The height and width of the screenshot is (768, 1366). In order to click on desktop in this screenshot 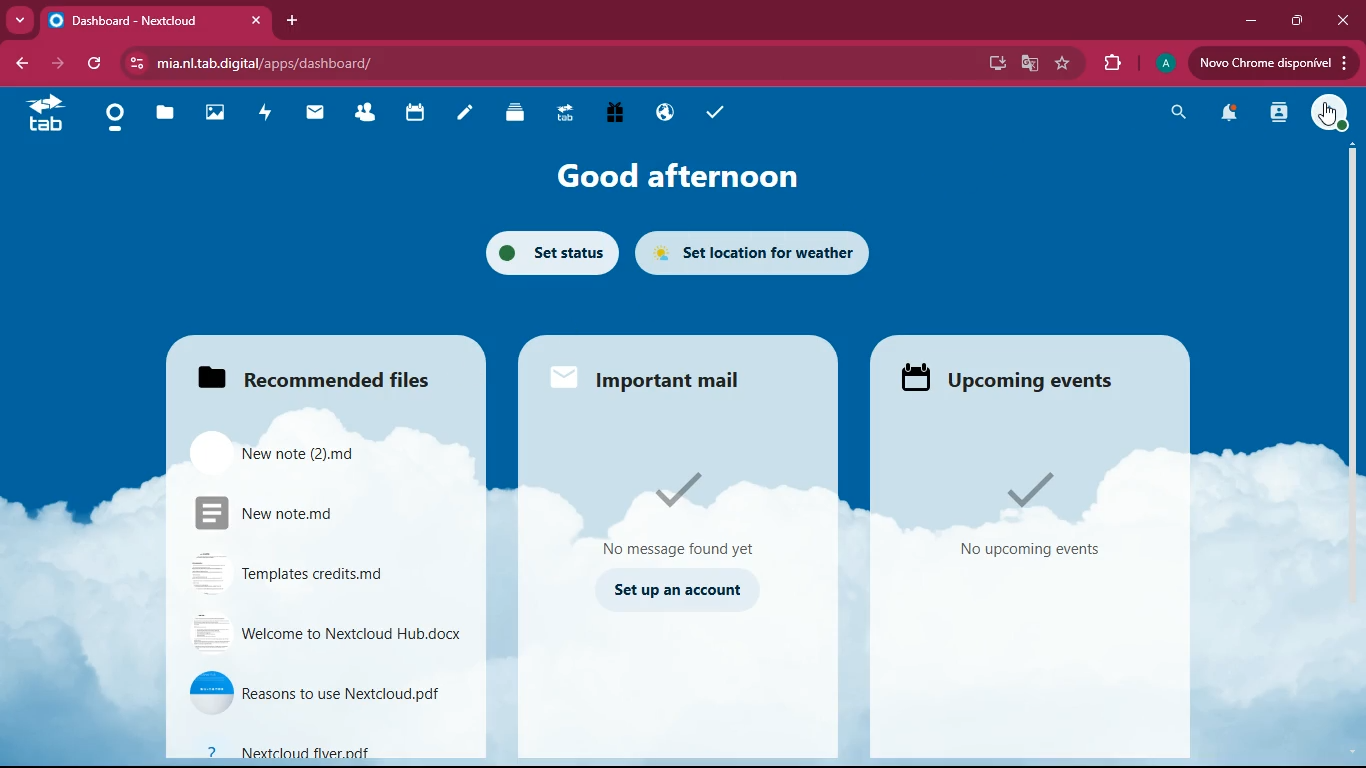, I will do `click(1001, 63)`.